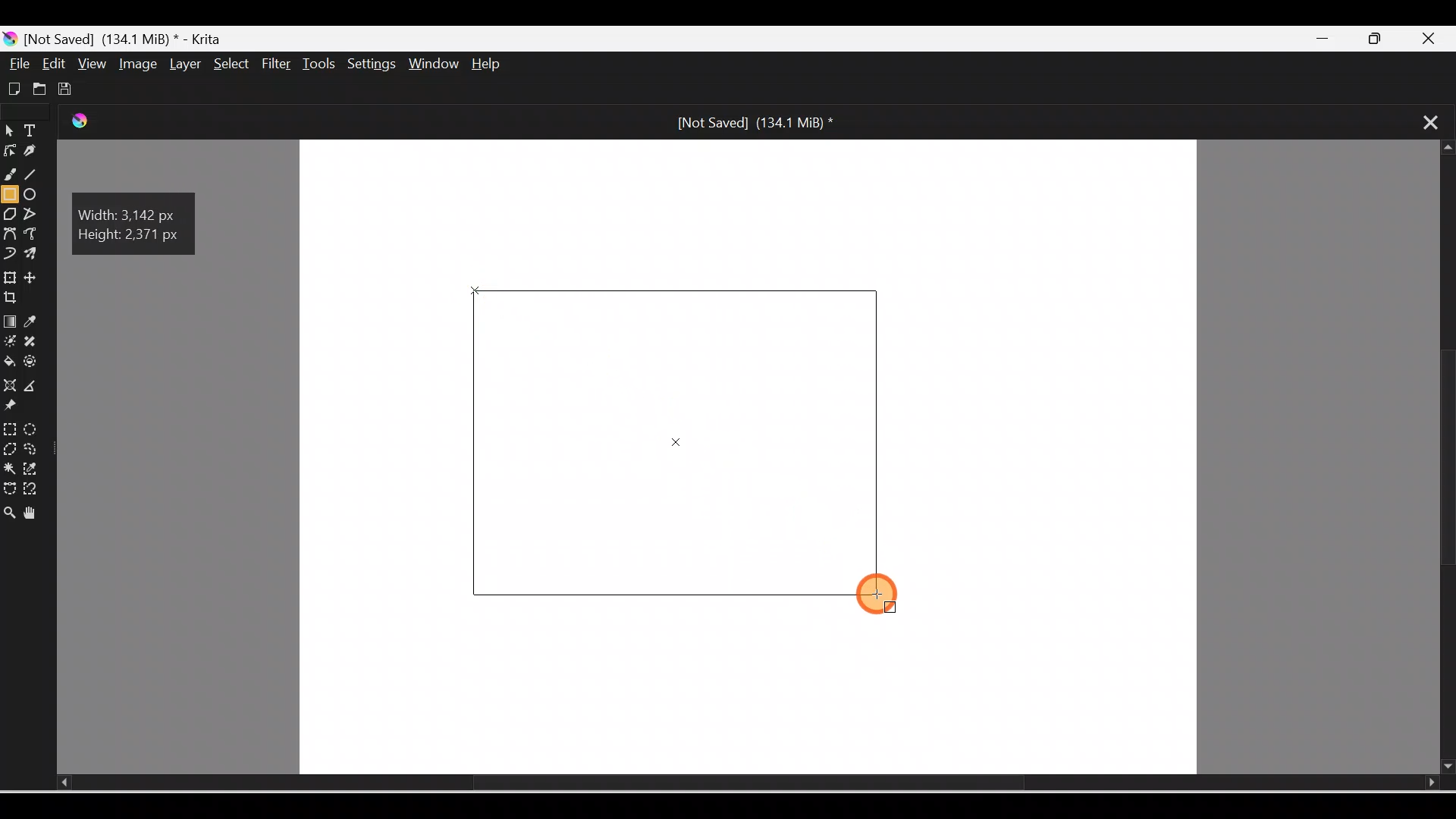 This screenshot has width=1456, height=819. Describe the element at coordinates (679, 441) in the screenshot. I see `Rectangle on Canvas` at that location.